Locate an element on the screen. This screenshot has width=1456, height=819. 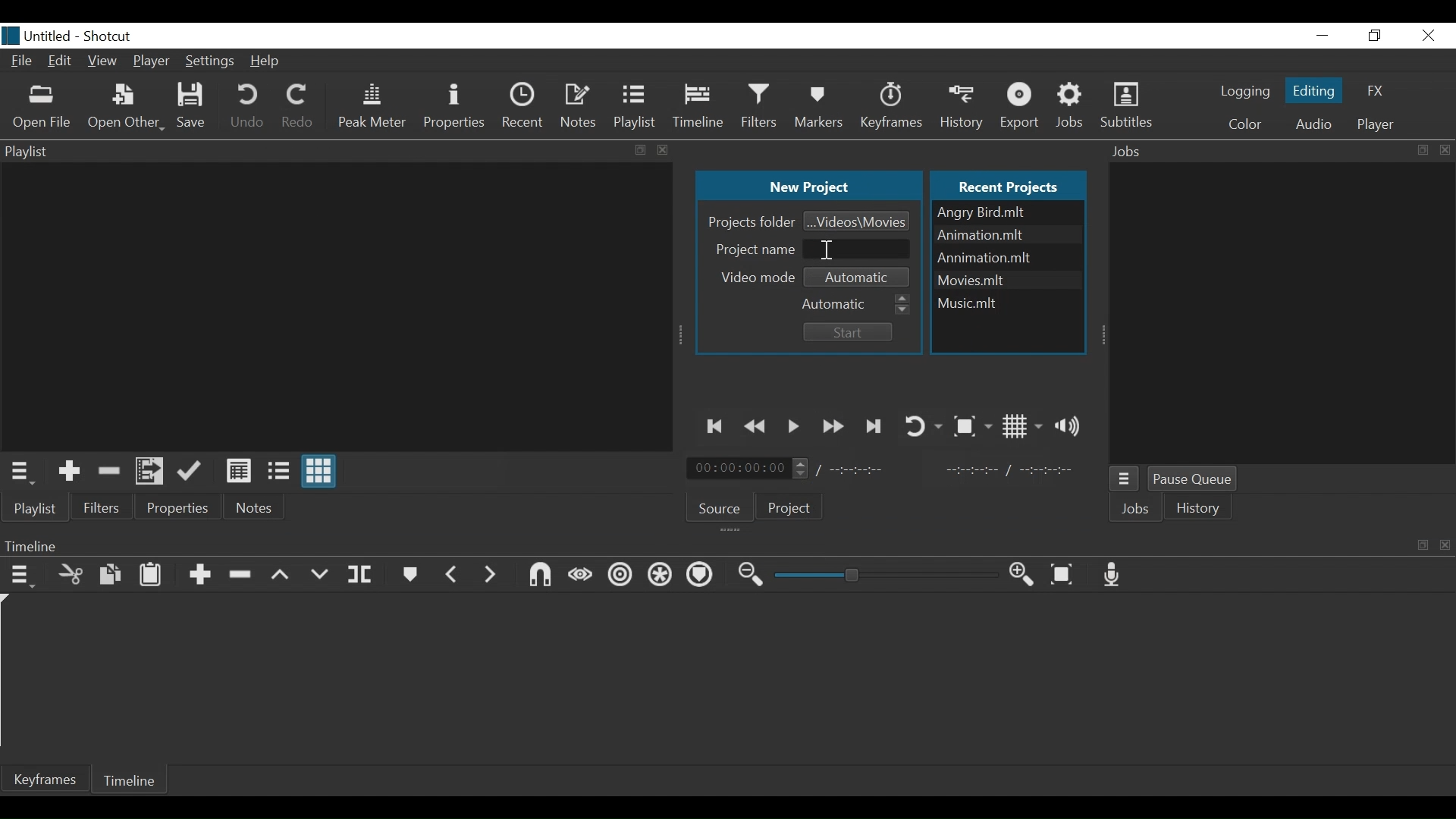
Copy is located at coordinates (111, 575).